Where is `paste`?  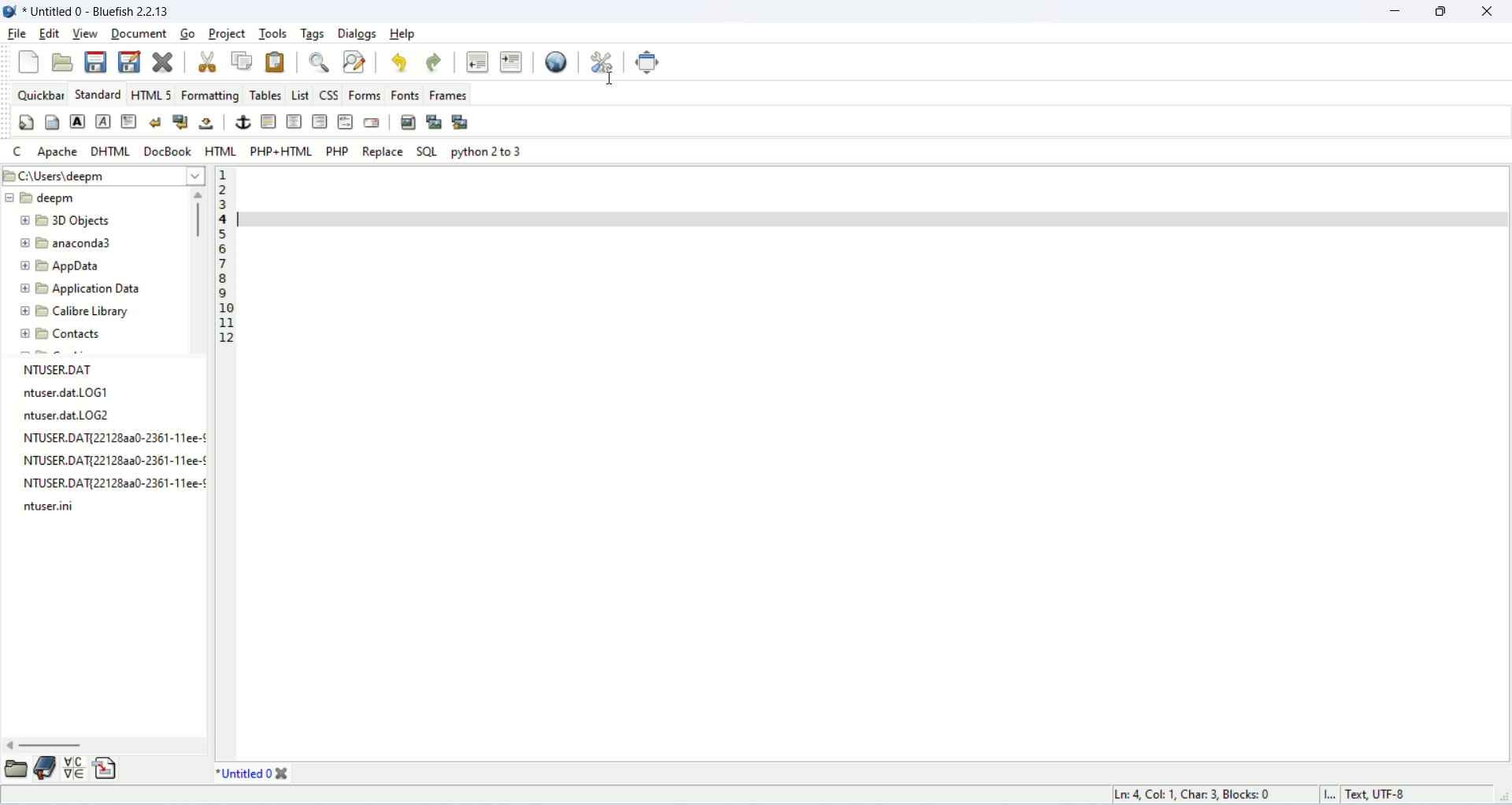 paste is located at coordinates (276, 62).